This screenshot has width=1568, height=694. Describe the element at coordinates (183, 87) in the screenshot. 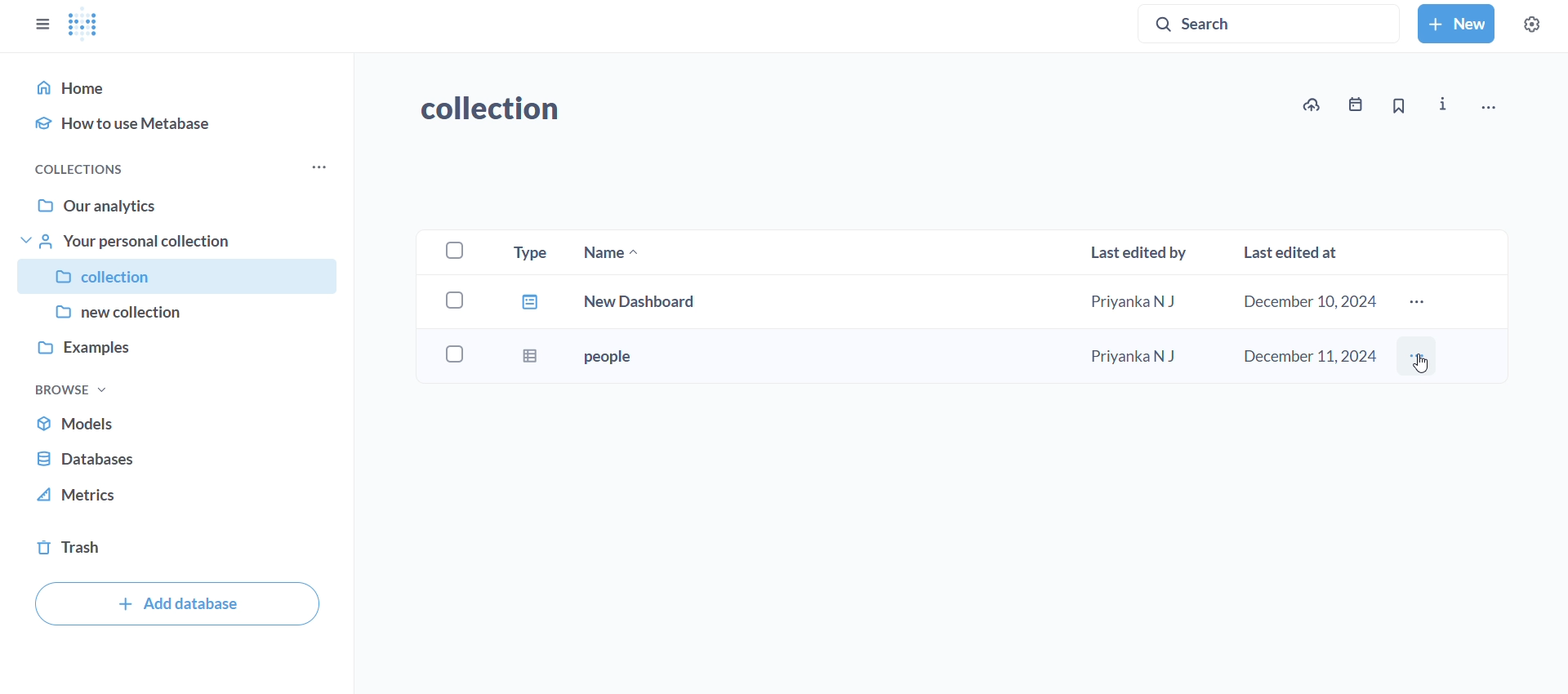

I see `home` at that location.